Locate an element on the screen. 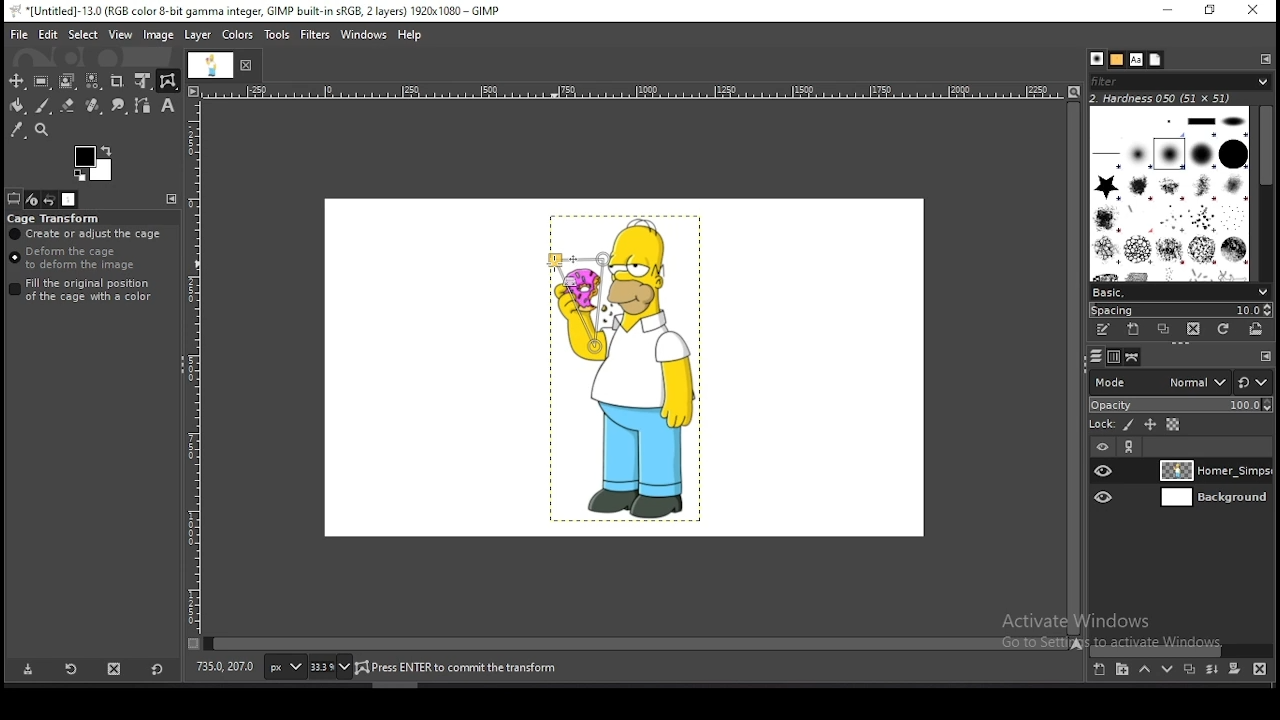 This screenshot has width=1280, height=720. close window is located at coordinates (1252, 12).